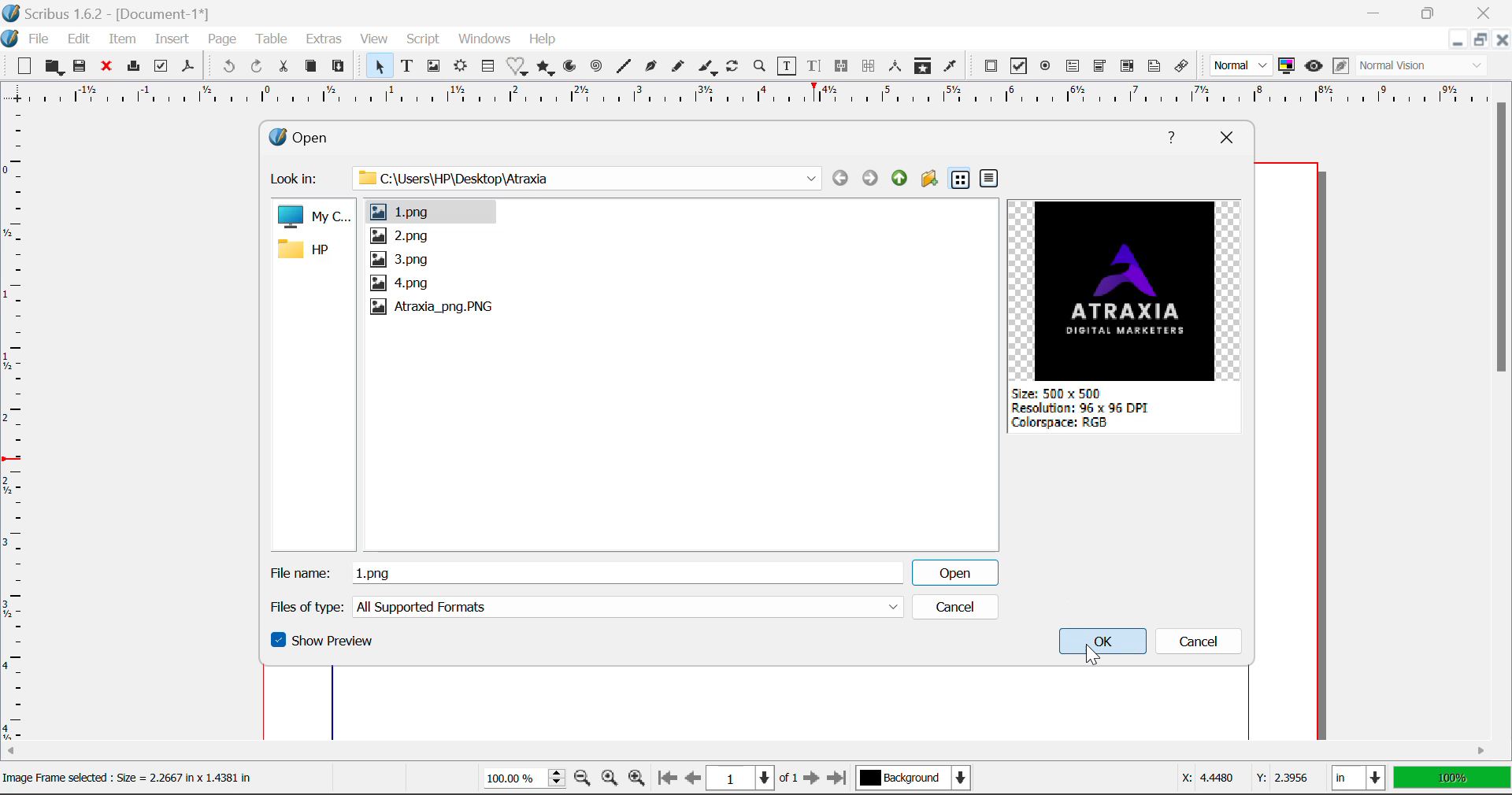  Describe the element at coordinates (1358, 778) in the screenshot. I see `in` at that location.